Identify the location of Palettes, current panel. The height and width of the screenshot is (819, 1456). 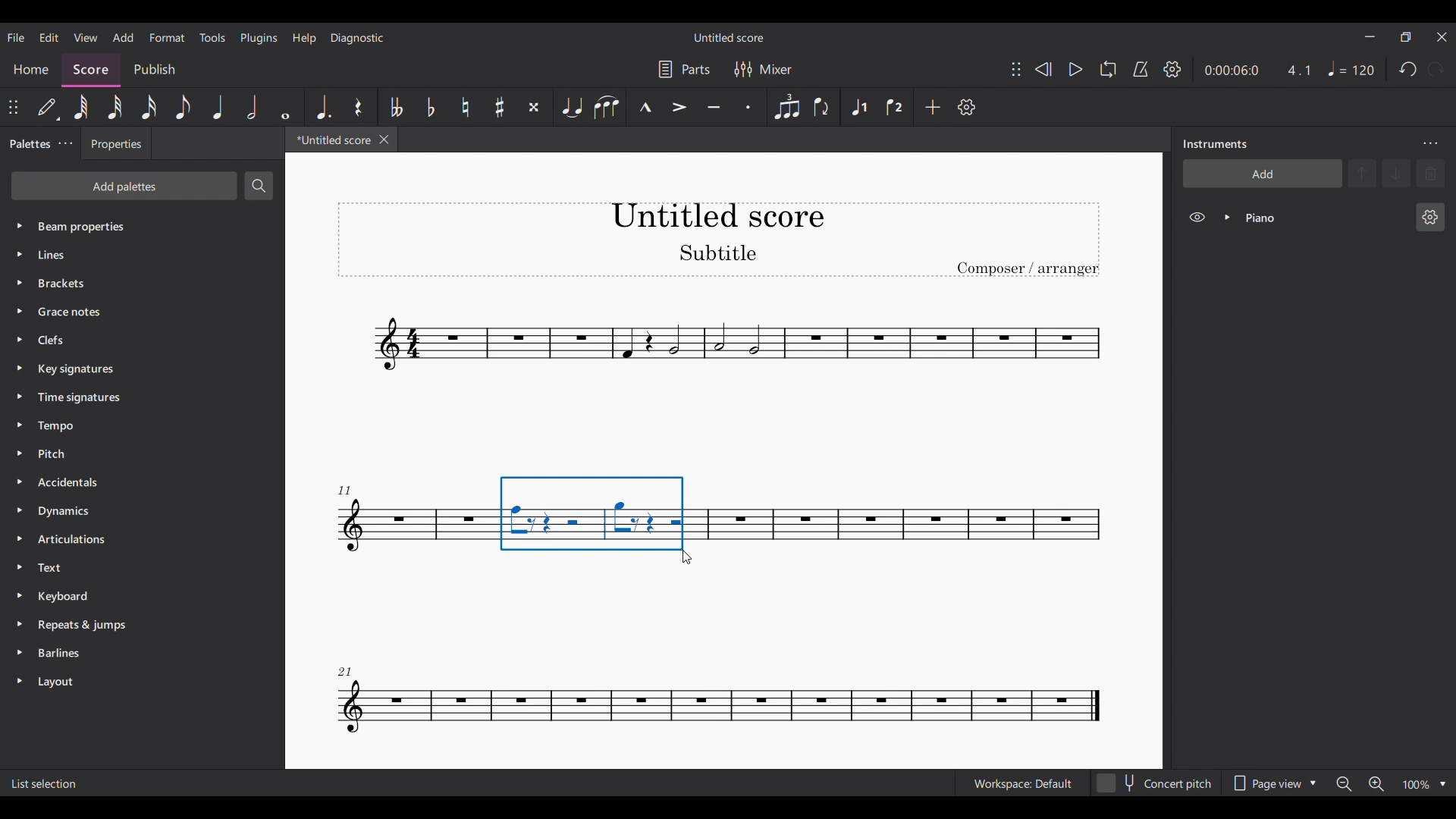
(27, 146).